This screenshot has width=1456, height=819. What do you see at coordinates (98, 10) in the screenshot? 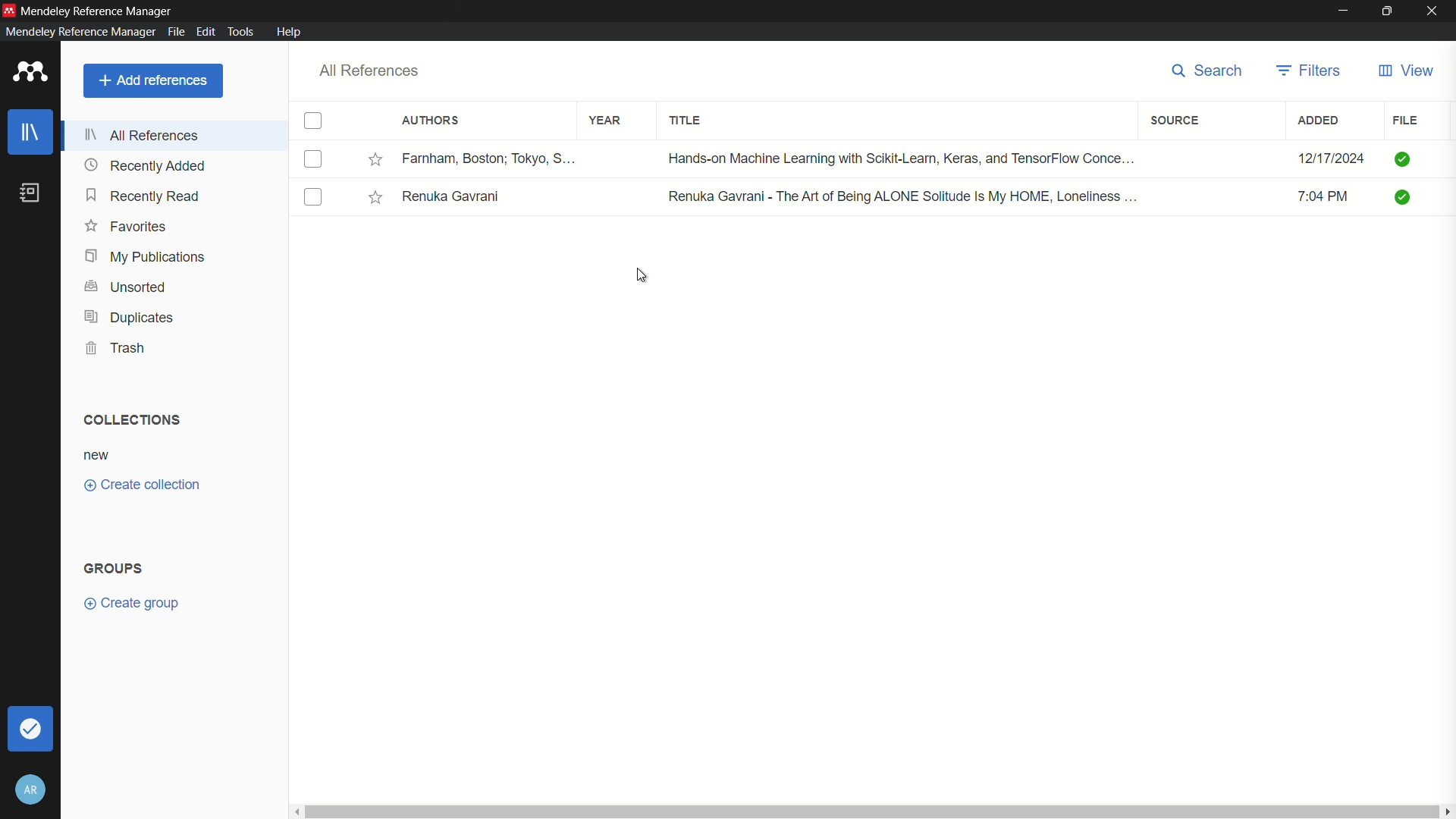
I see `app name` at bounding box center [98, 10].